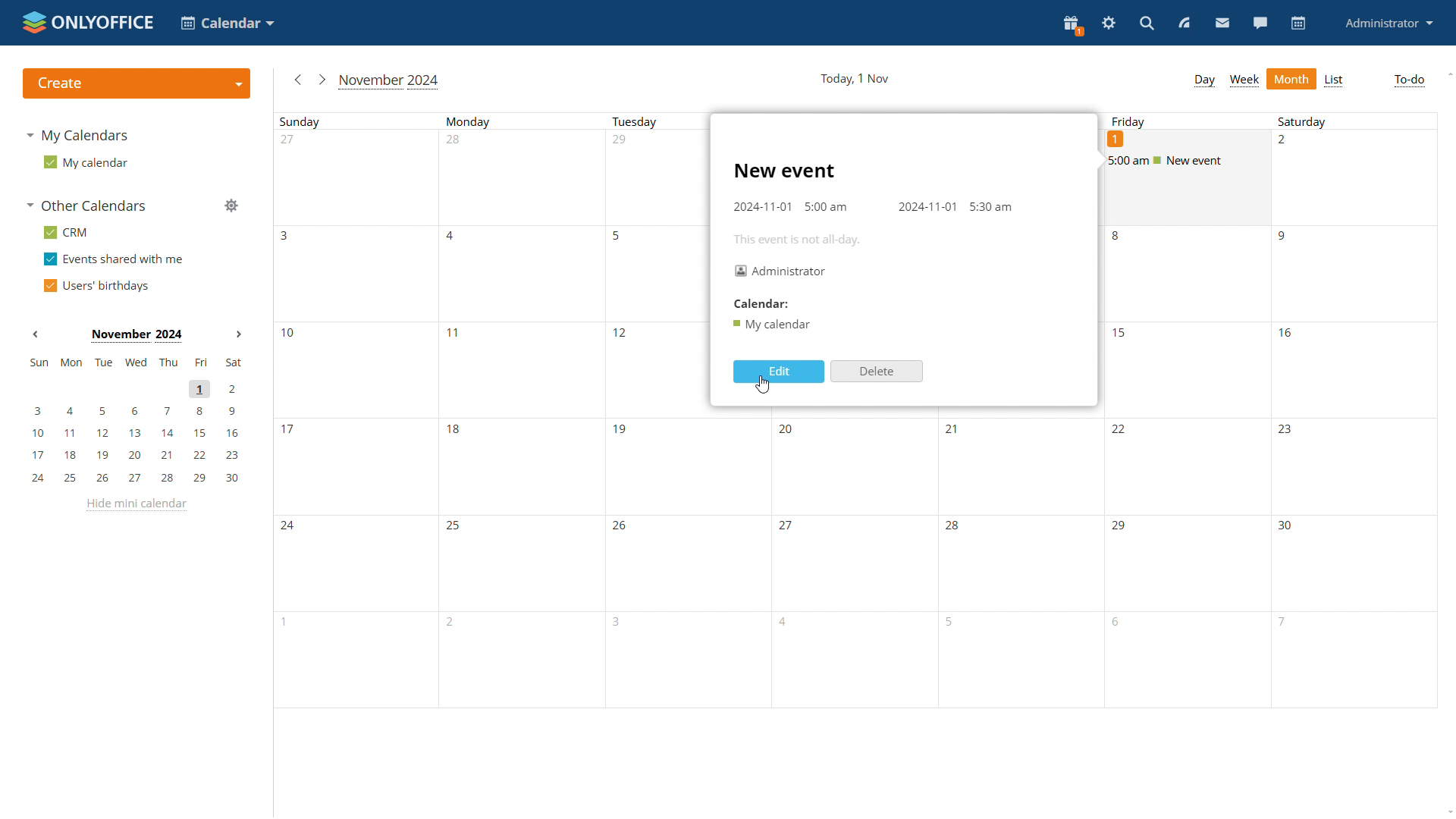 The width and height of the screenshot is (1456, 819). I want to click on go to next month, so click(320, 79).